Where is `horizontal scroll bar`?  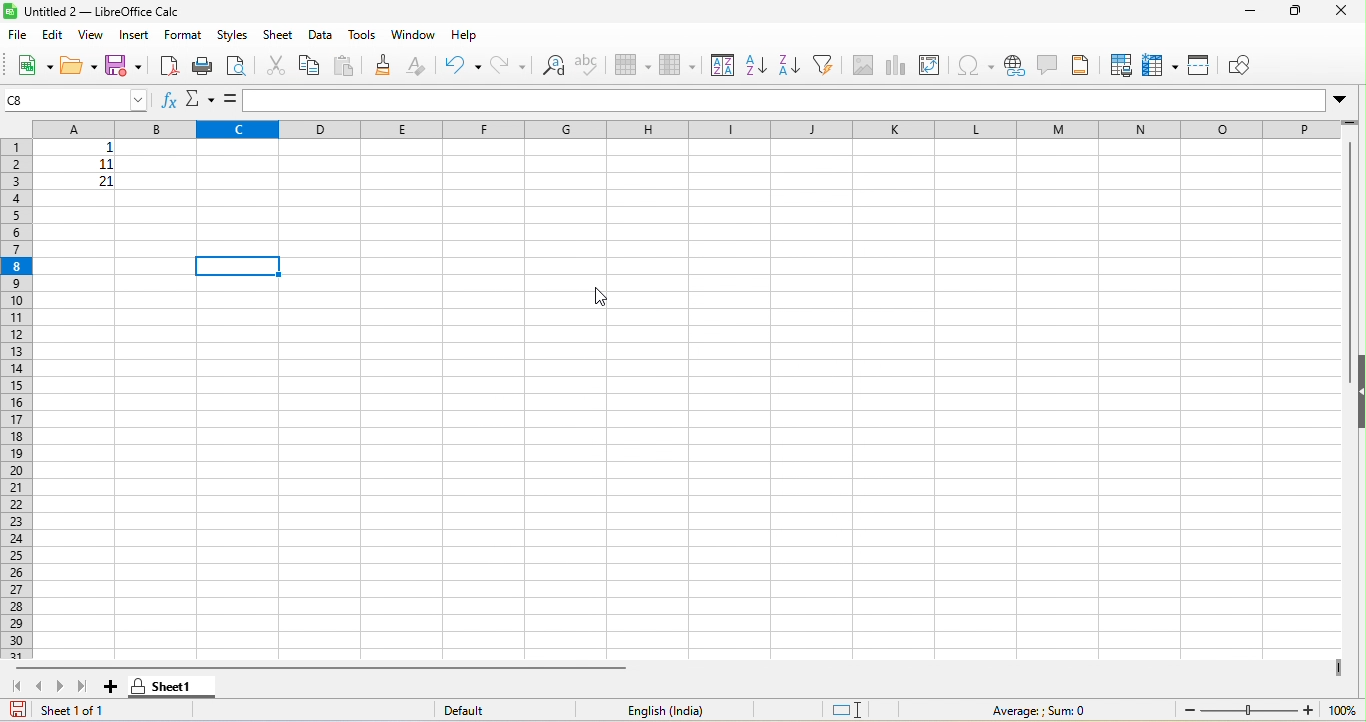
horizontal scroll bar is located at coordinates (327, 666).